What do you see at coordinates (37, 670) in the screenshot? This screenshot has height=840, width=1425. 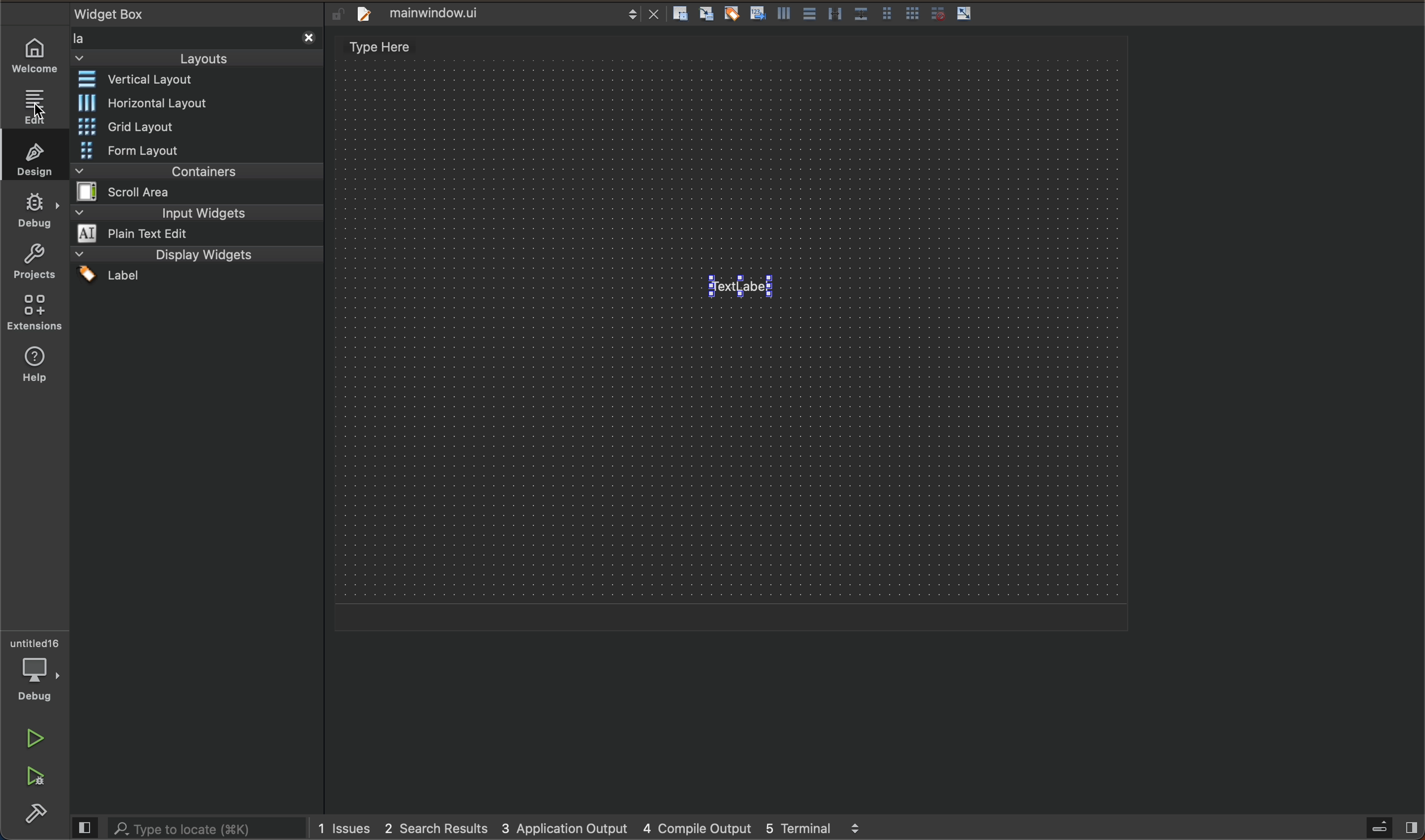 I see `debugger` at bounding box center [37, 670].